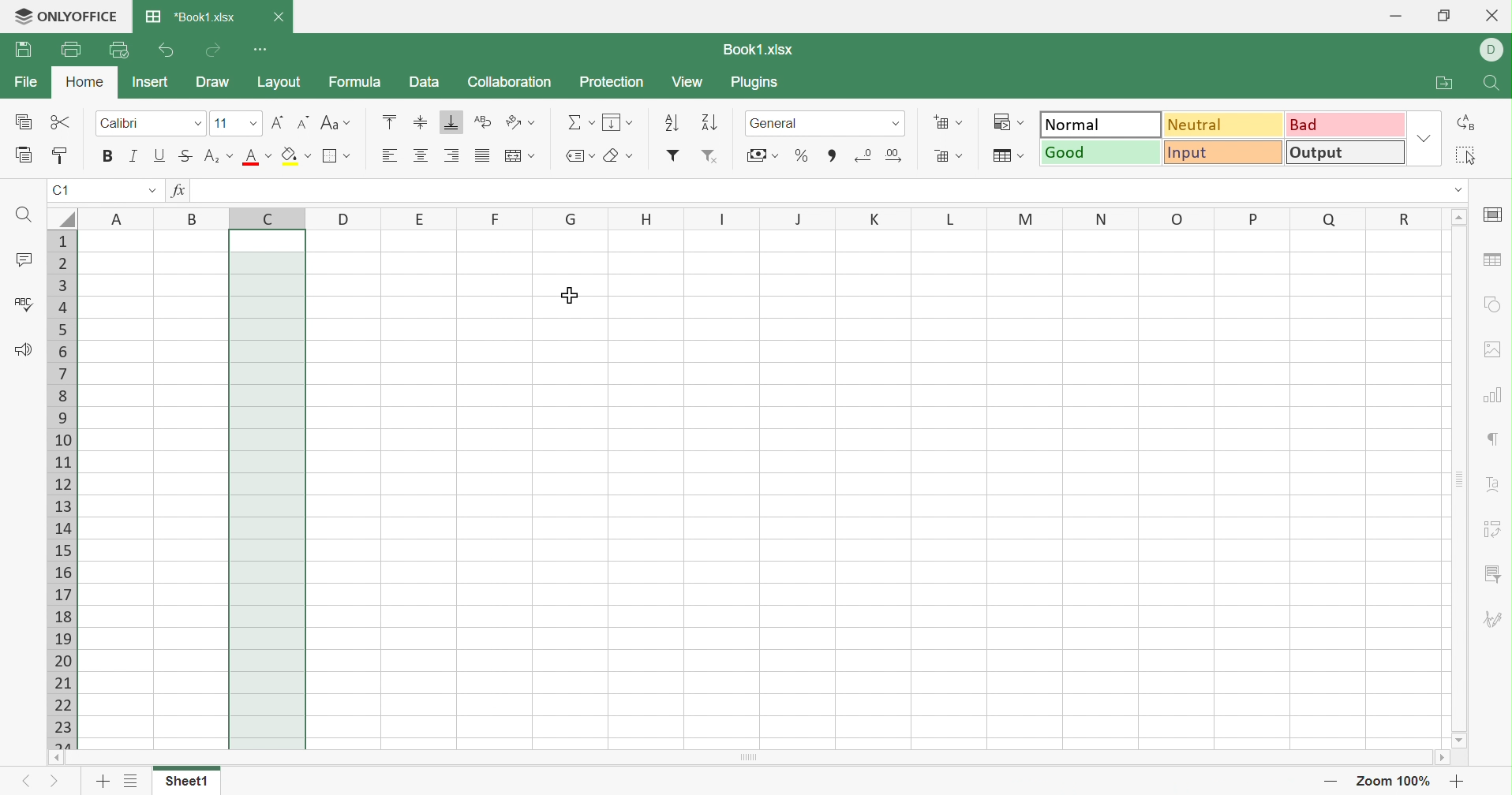 The image size is (1512, 795). What do you see at coordinates (290, 157) in the screenshot?
I see `Fill color` at bounding box center [290, 157].